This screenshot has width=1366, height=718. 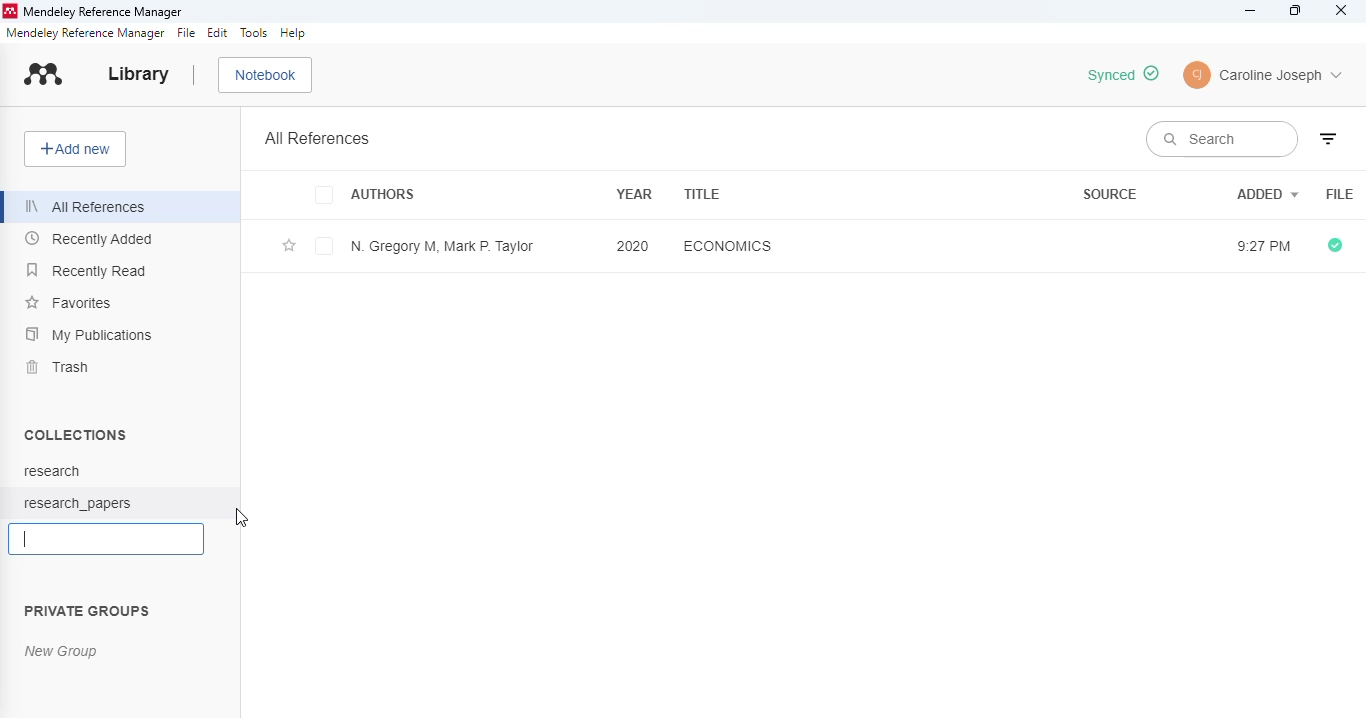 I want to click on title, so click(x=703, y=194).